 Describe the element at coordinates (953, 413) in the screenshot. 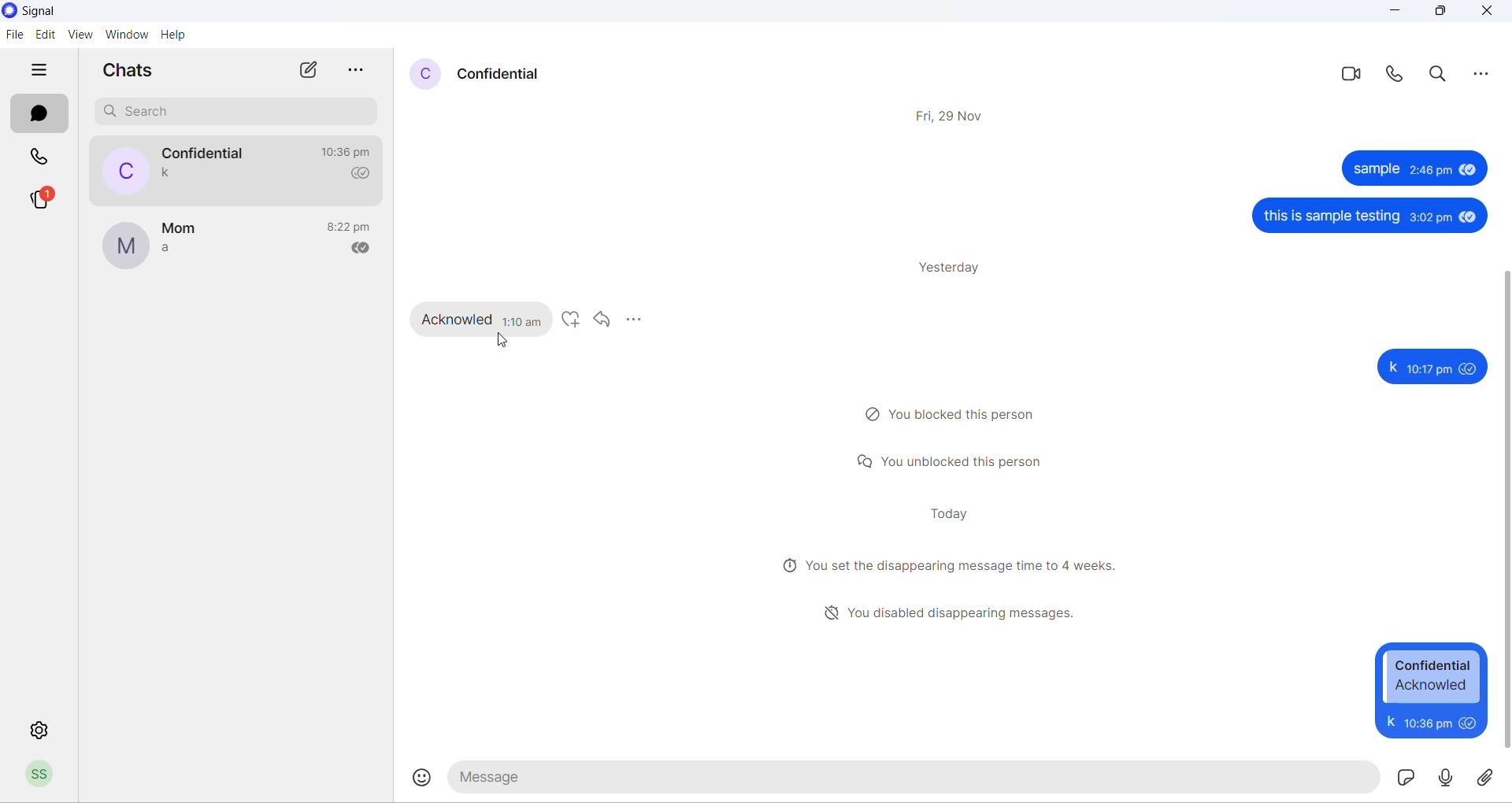

I see `block notification` at that location.